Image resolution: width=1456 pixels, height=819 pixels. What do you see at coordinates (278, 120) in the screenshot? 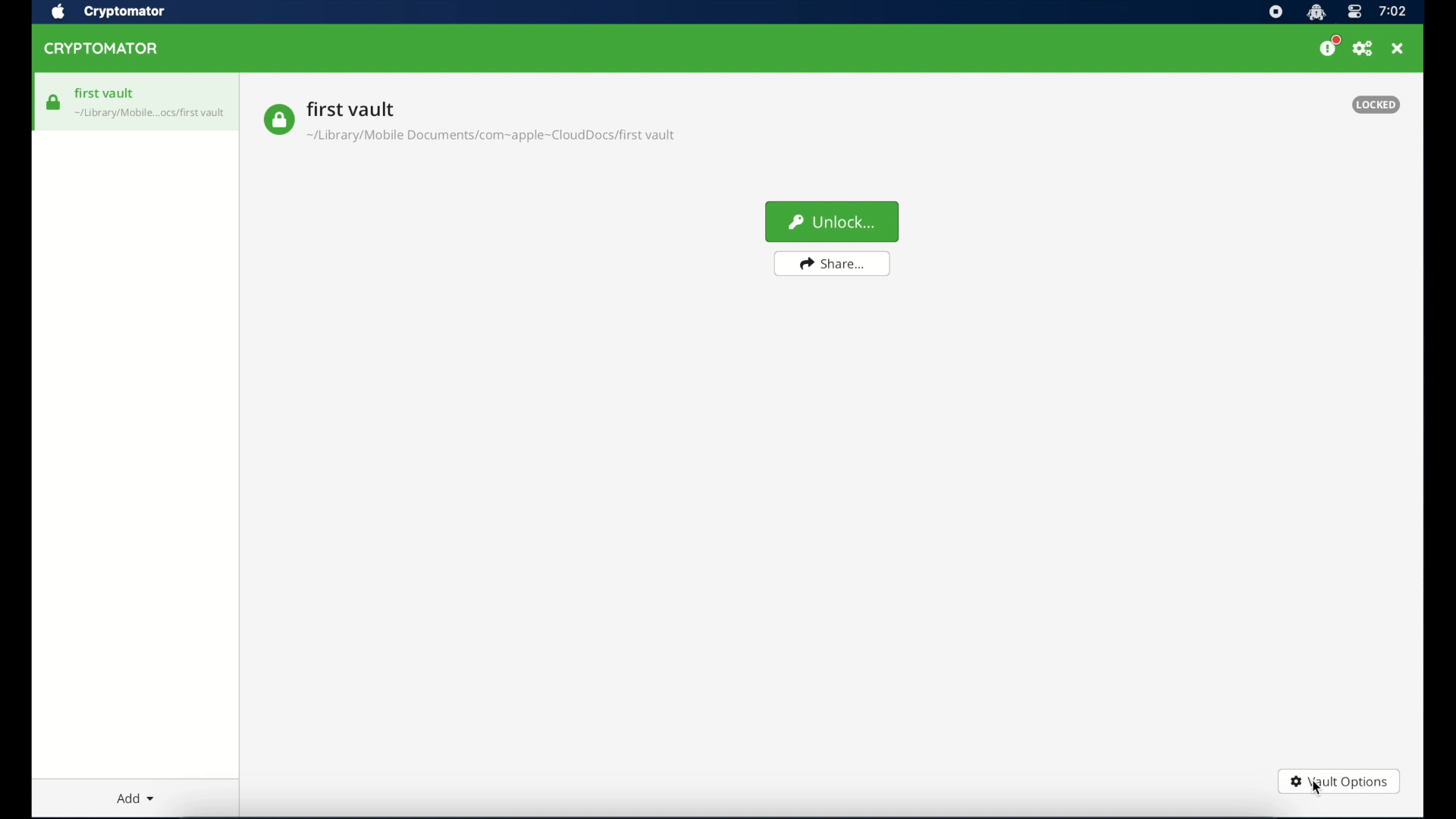
I see `vault icon` at bounding box center [278, 120].